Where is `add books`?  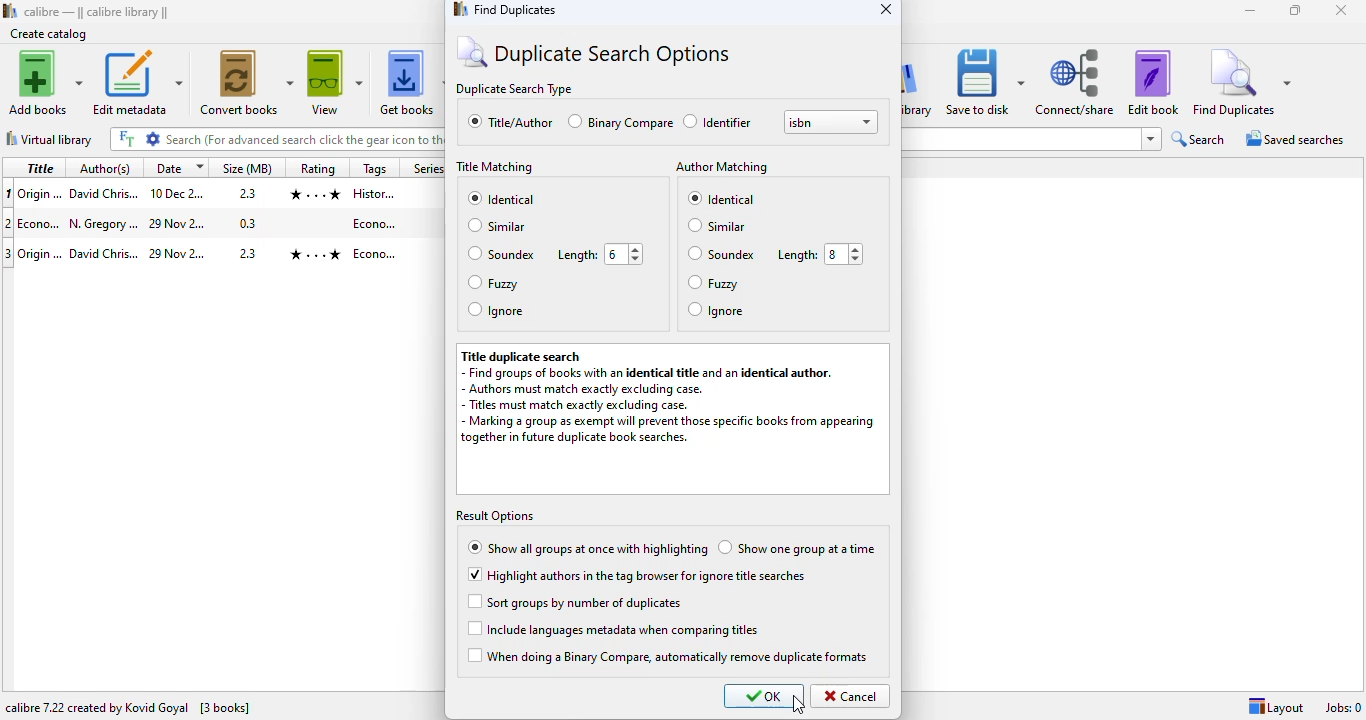 add books is located at coordinates (46, 82).